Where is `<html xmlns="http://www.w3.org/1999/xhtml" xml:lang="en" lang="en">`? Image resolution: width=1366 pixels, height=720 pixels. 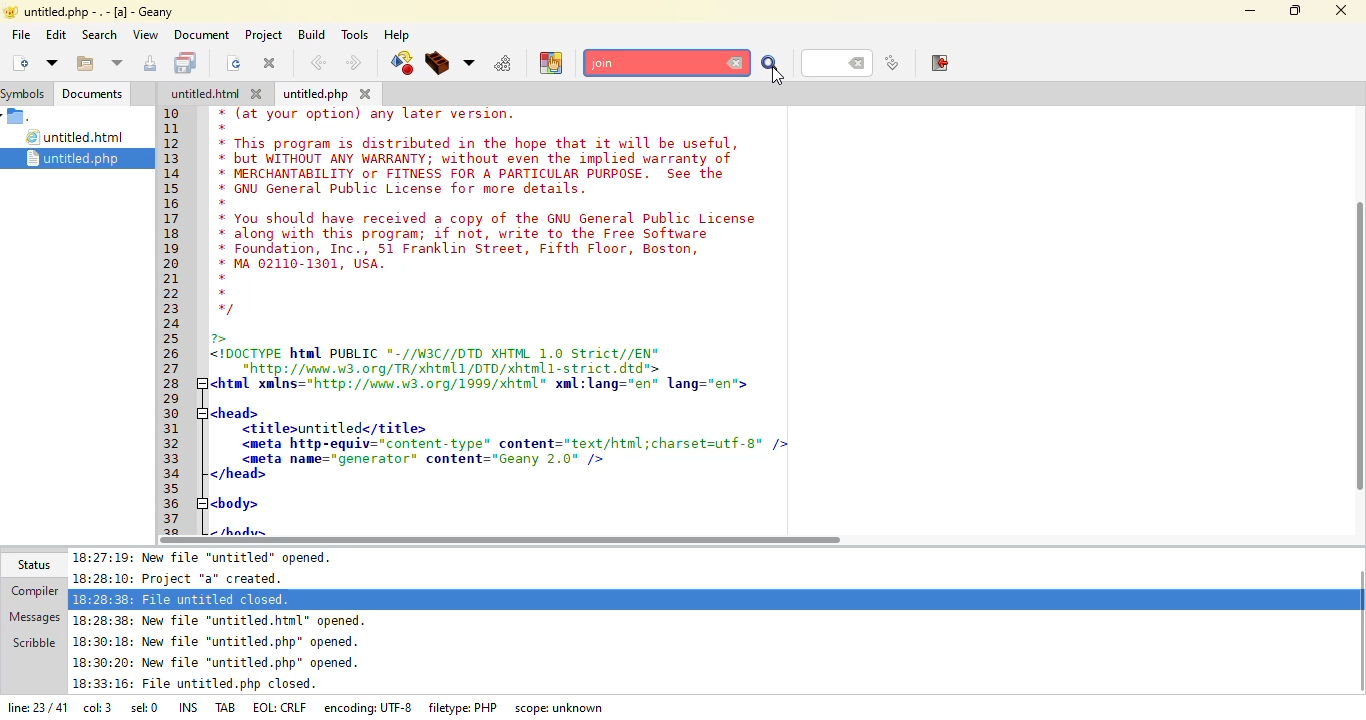
<html xmlns="http://www.w3.org/1999/xhtml" xml:lang="en" lang="en"> is located at coordinates (489, 384).